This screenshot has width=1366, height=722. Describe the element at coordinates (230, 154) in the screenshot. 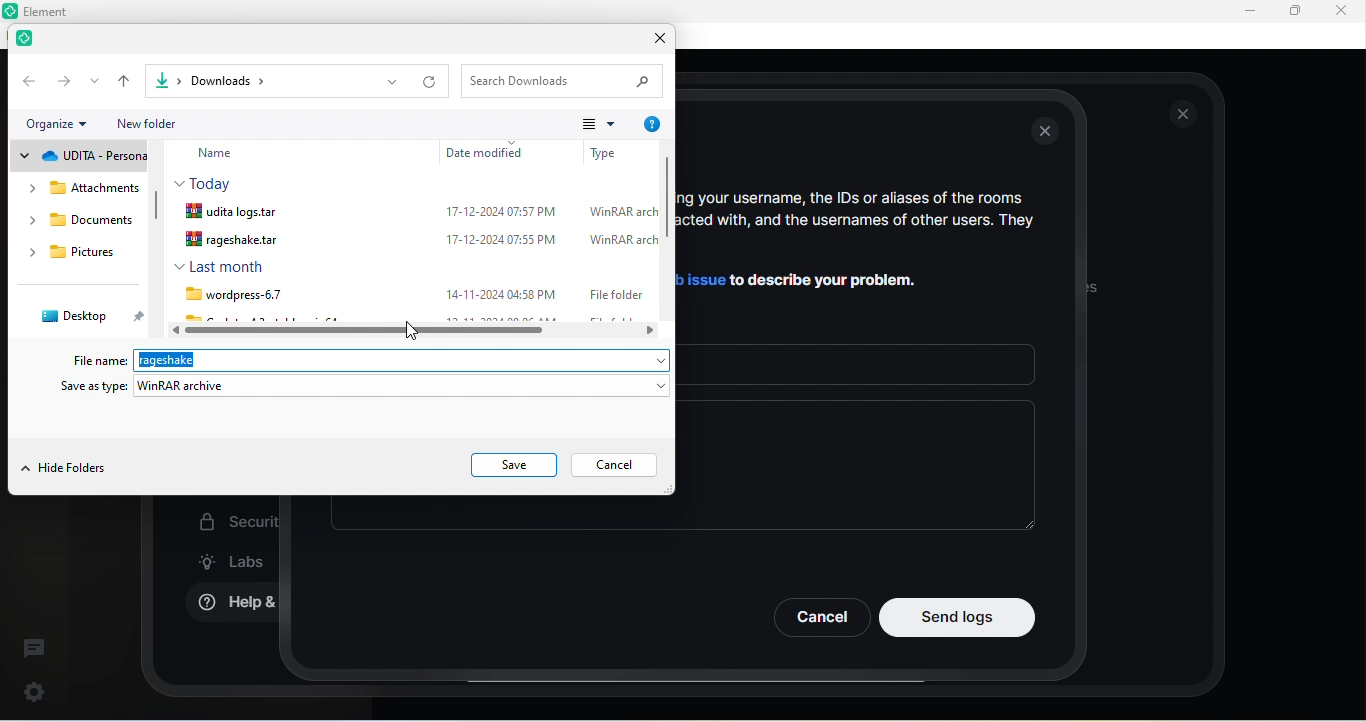

I see `name` at that location.